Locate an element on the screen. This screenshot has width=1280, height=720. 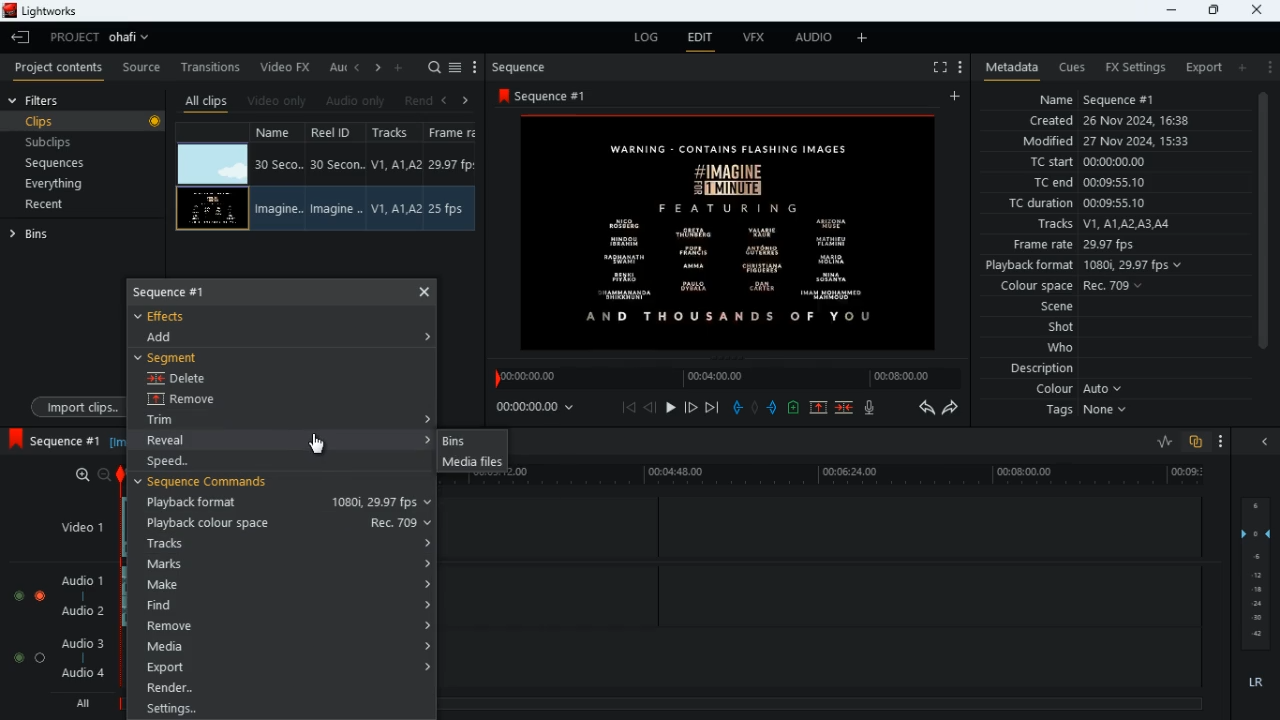
scroll is located at coordinates (1261, 234).